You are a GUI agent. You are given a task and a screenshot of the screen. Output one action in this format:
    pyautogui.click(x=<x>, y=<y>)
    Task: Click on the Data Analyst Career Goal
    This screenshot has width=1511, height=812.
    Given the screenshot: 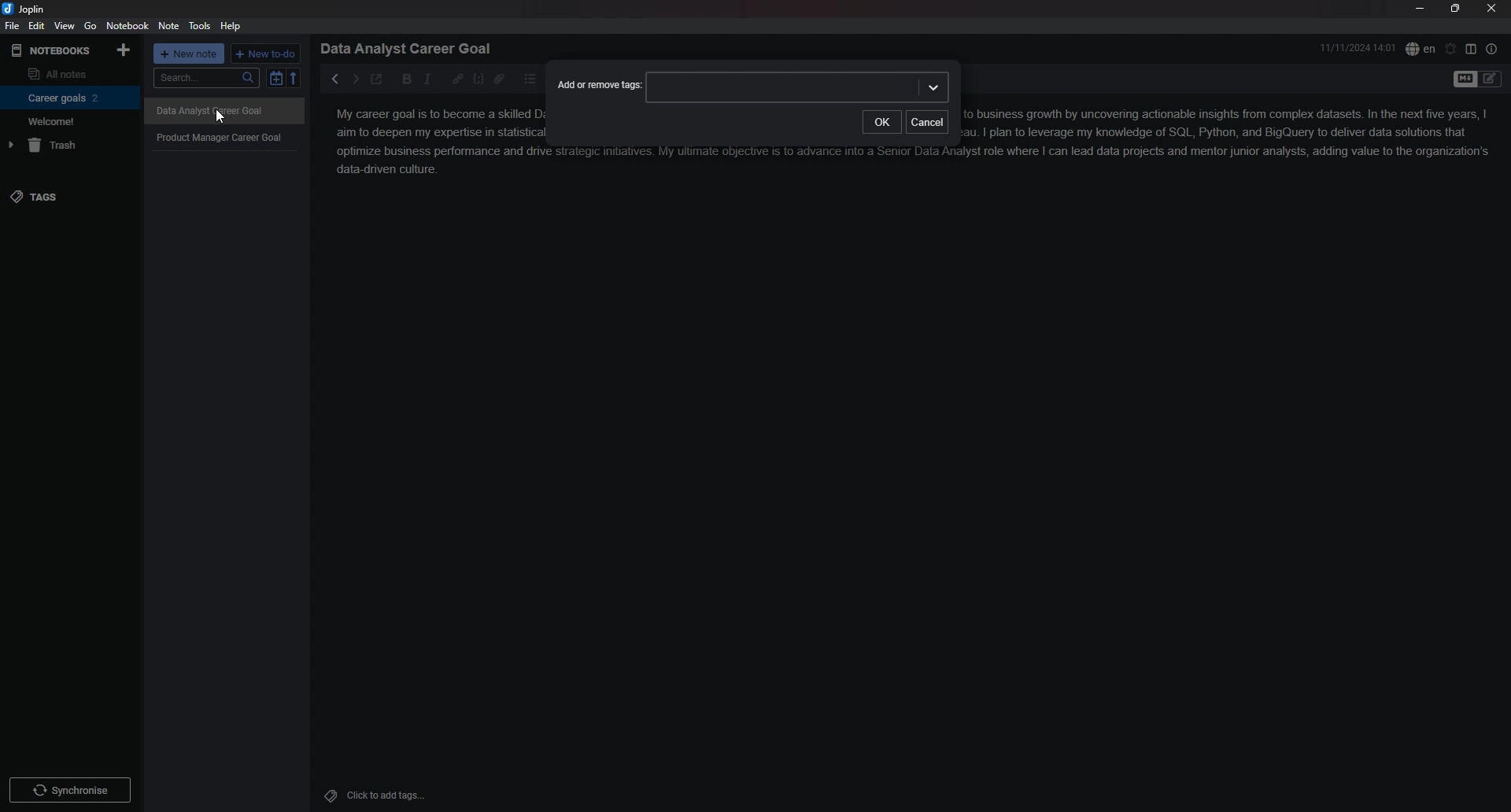 What is the action you would take?
    pyautogui.click(x=224, y=112)
    